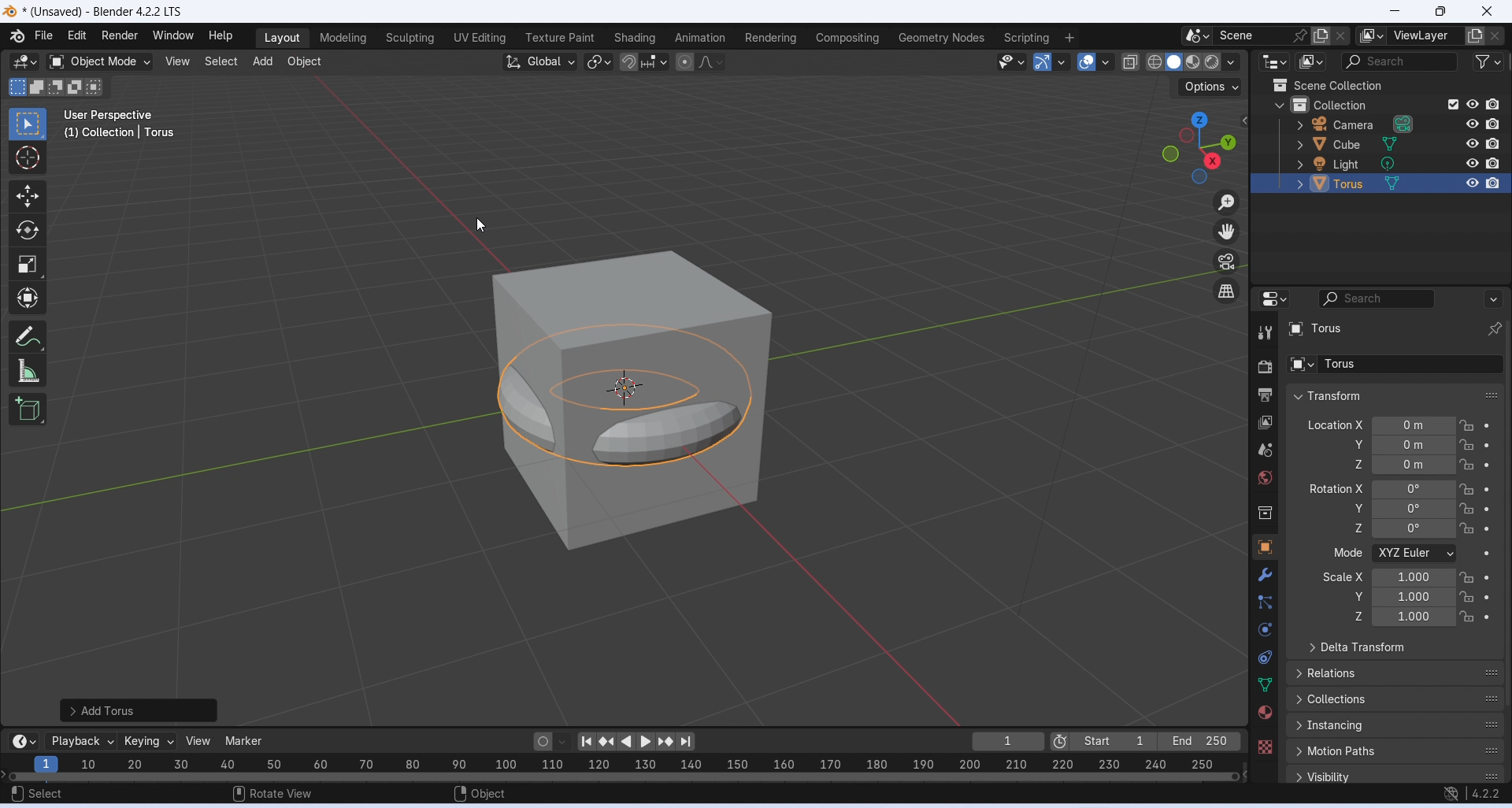  Describe the element at coordinates (654, 58) in the screenshot. I see `Snapping` at that location.